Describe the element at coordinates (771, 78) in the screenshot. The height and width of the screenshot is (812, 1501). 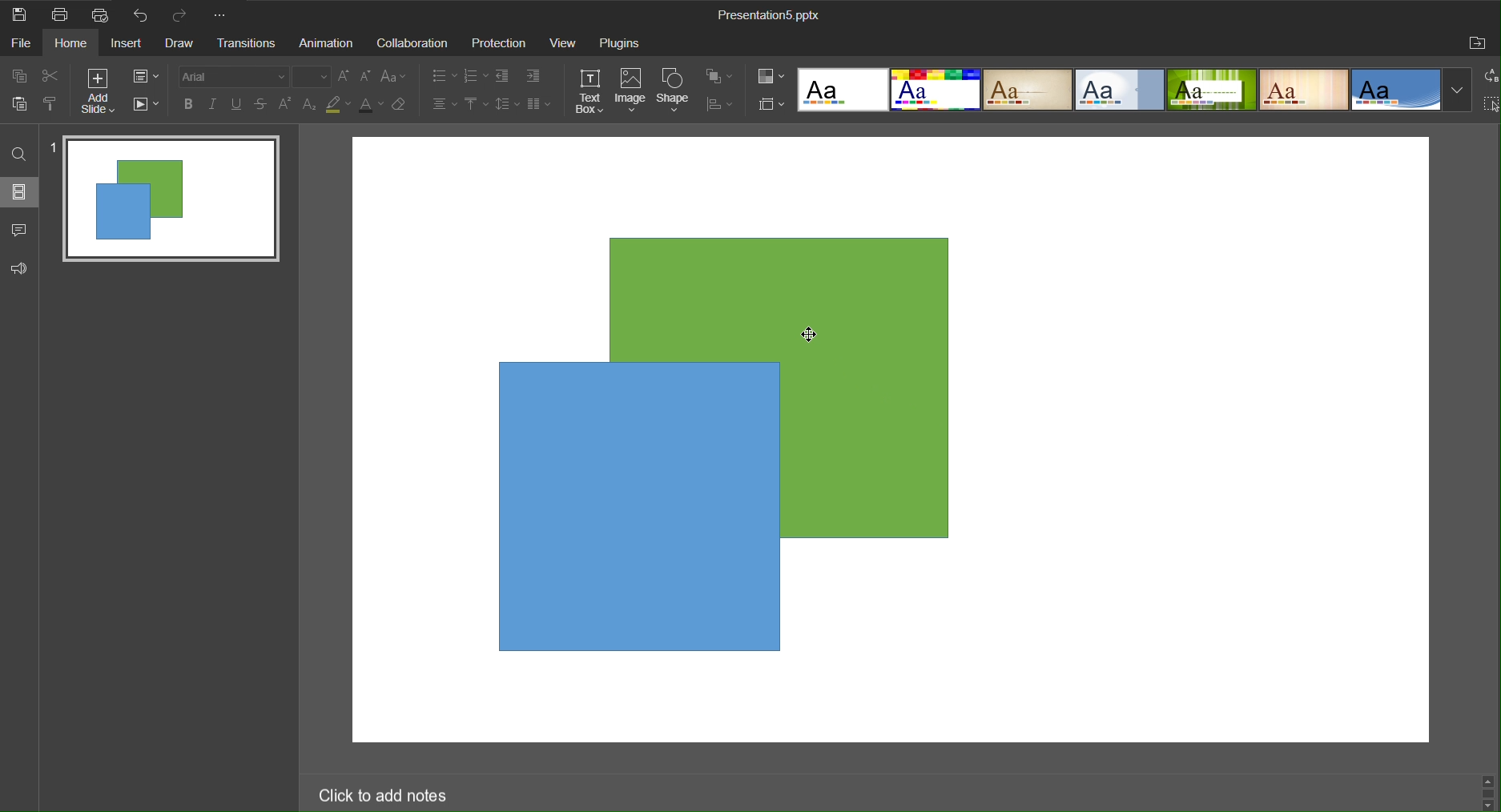
I see `Color` at that location.